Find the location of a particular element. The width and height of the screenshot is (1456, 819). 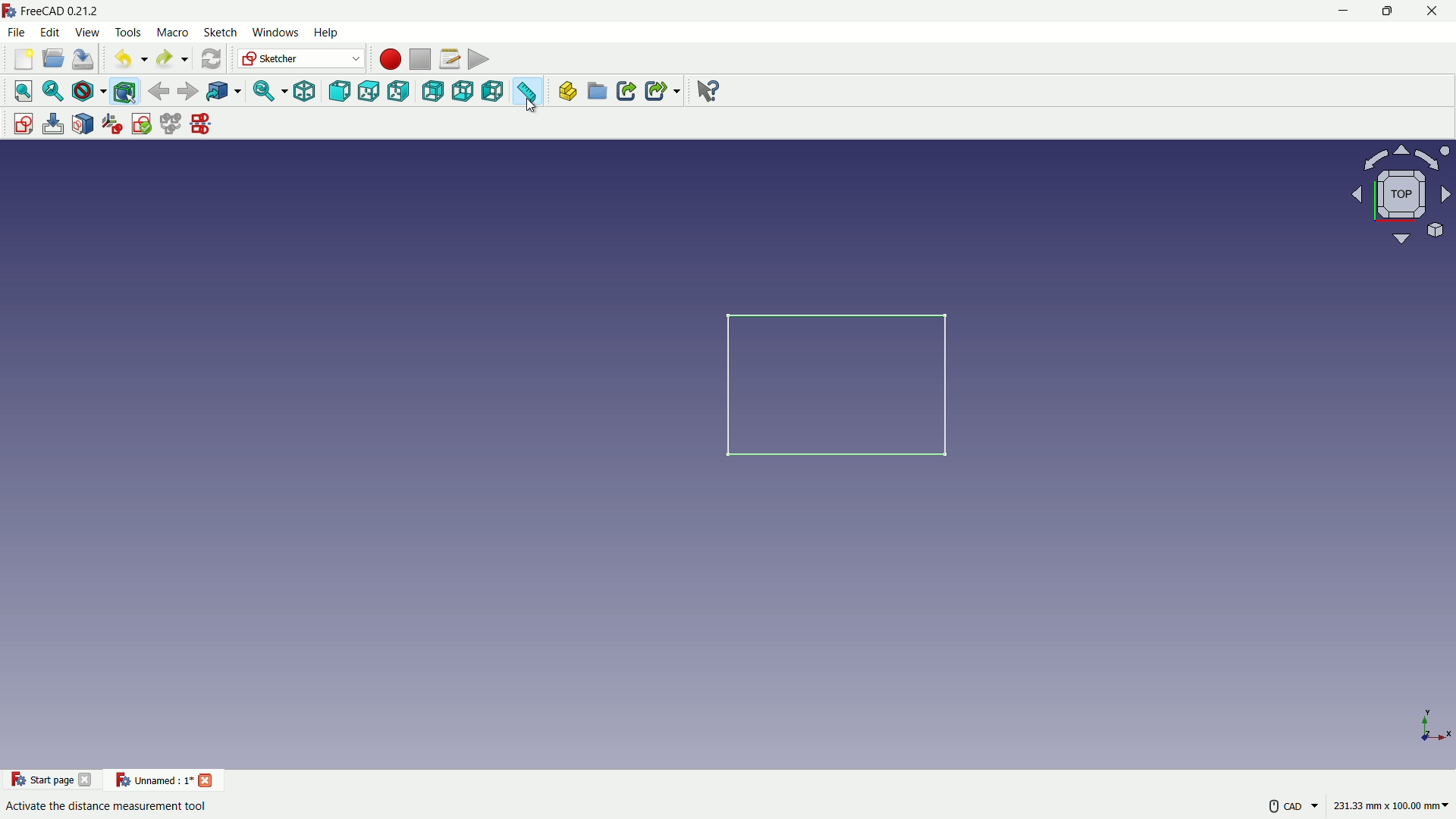

FreeCAD logo is located at coordinates (9, 11).